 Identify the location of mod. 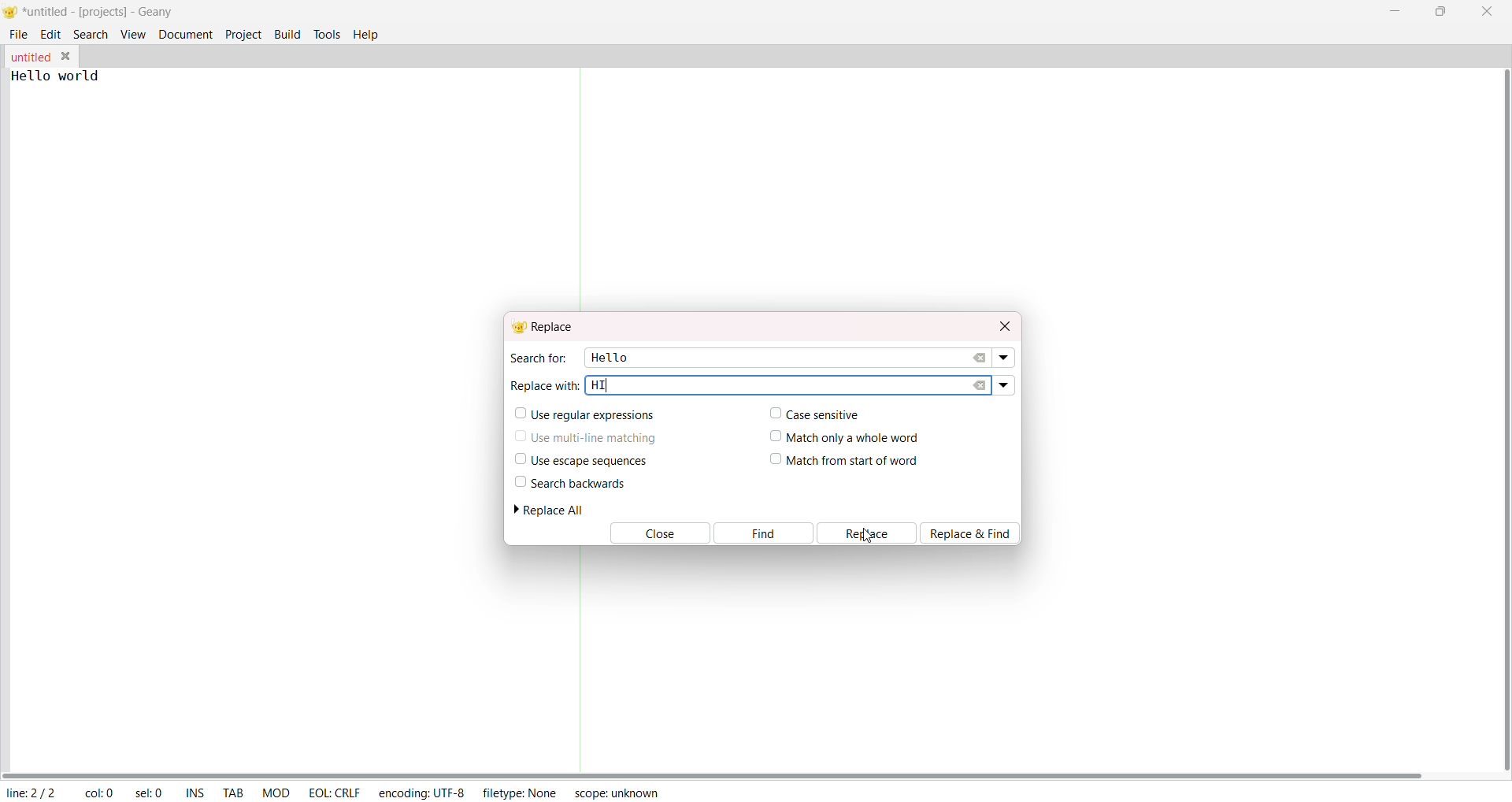
(276, 792).